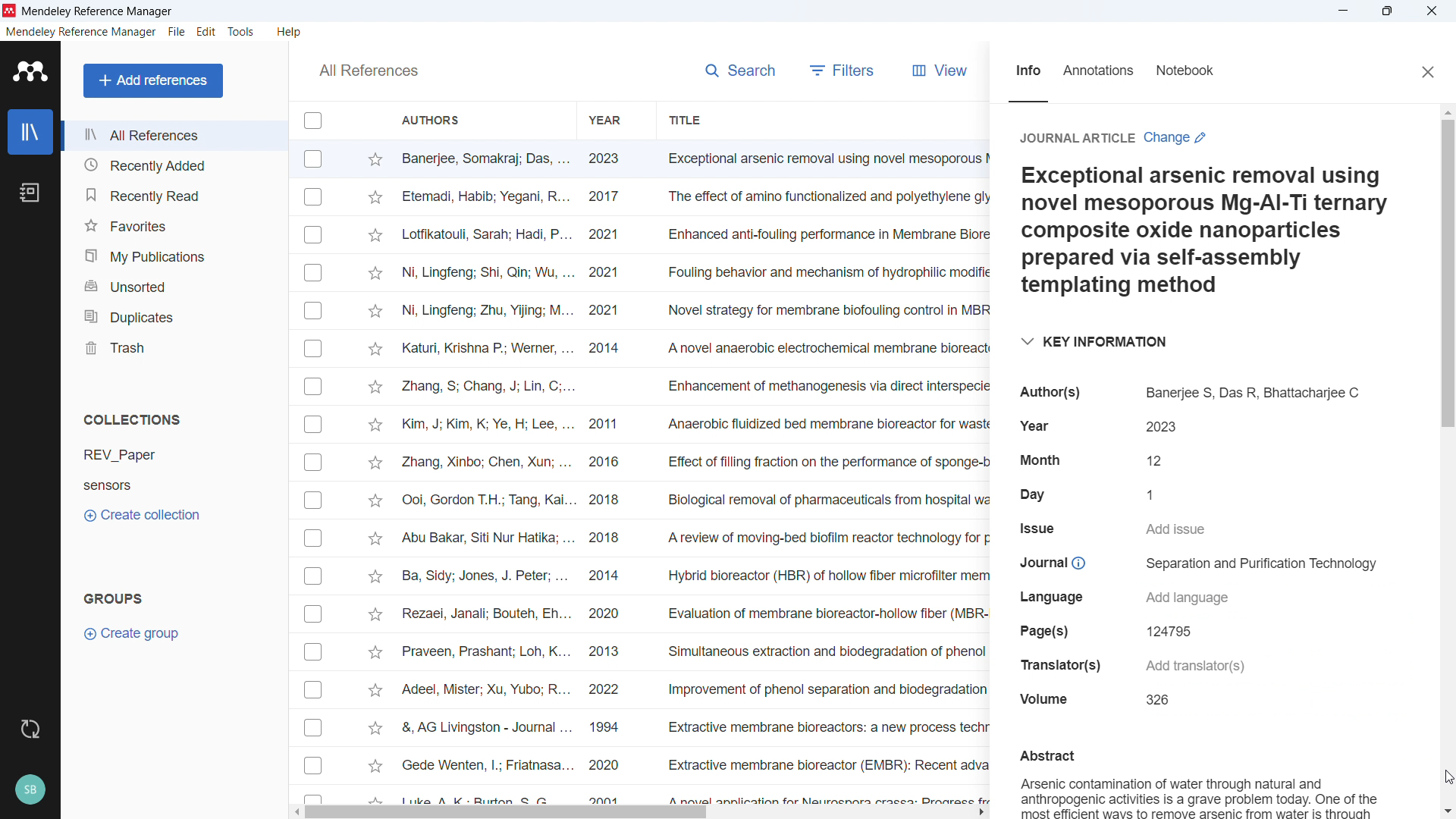 This screenshot has height=819, width=1456. I want to click on All references , so click(173, 135).